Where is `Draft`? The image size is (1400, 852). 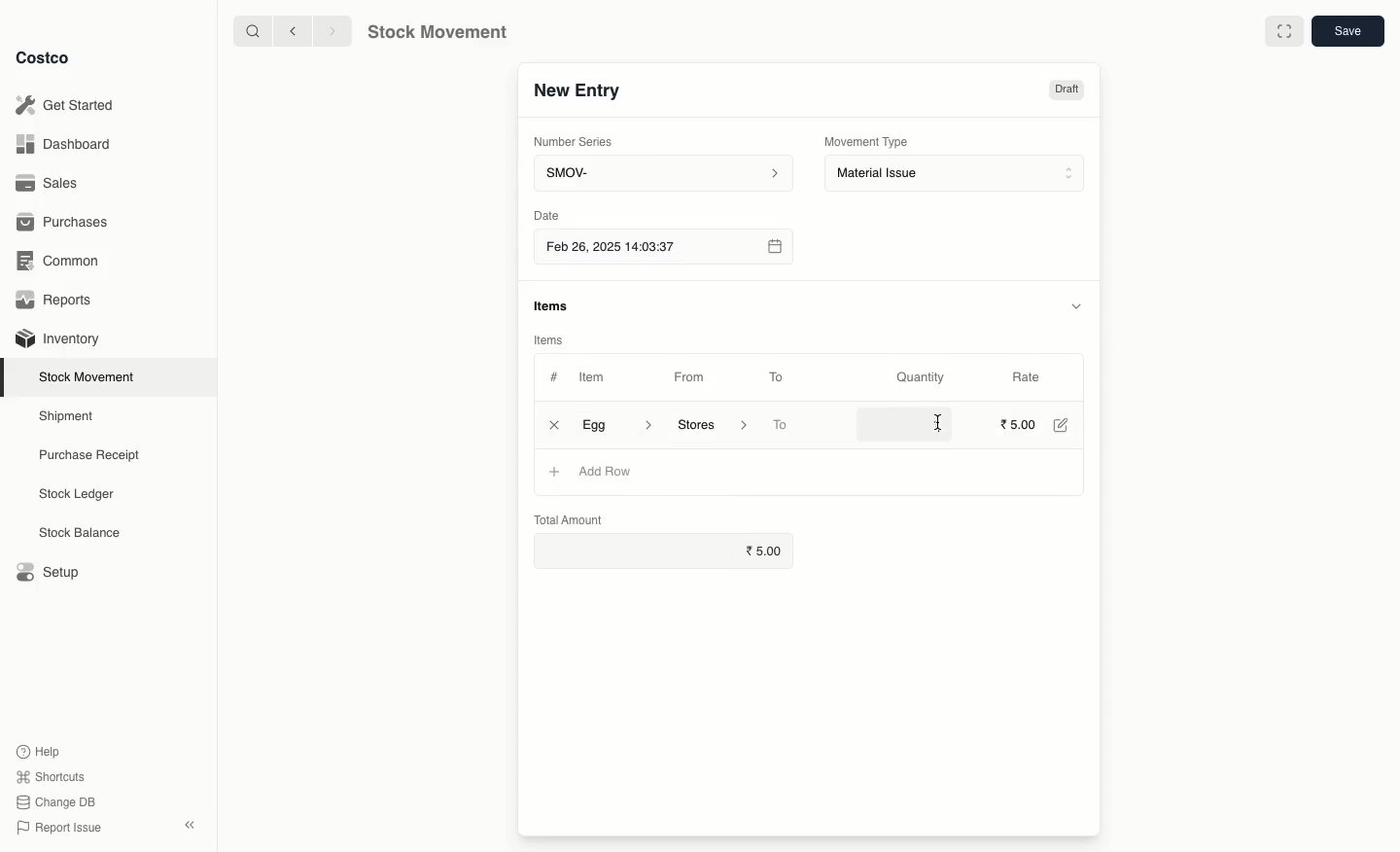
Draft is located at coordinates (1066, 91).